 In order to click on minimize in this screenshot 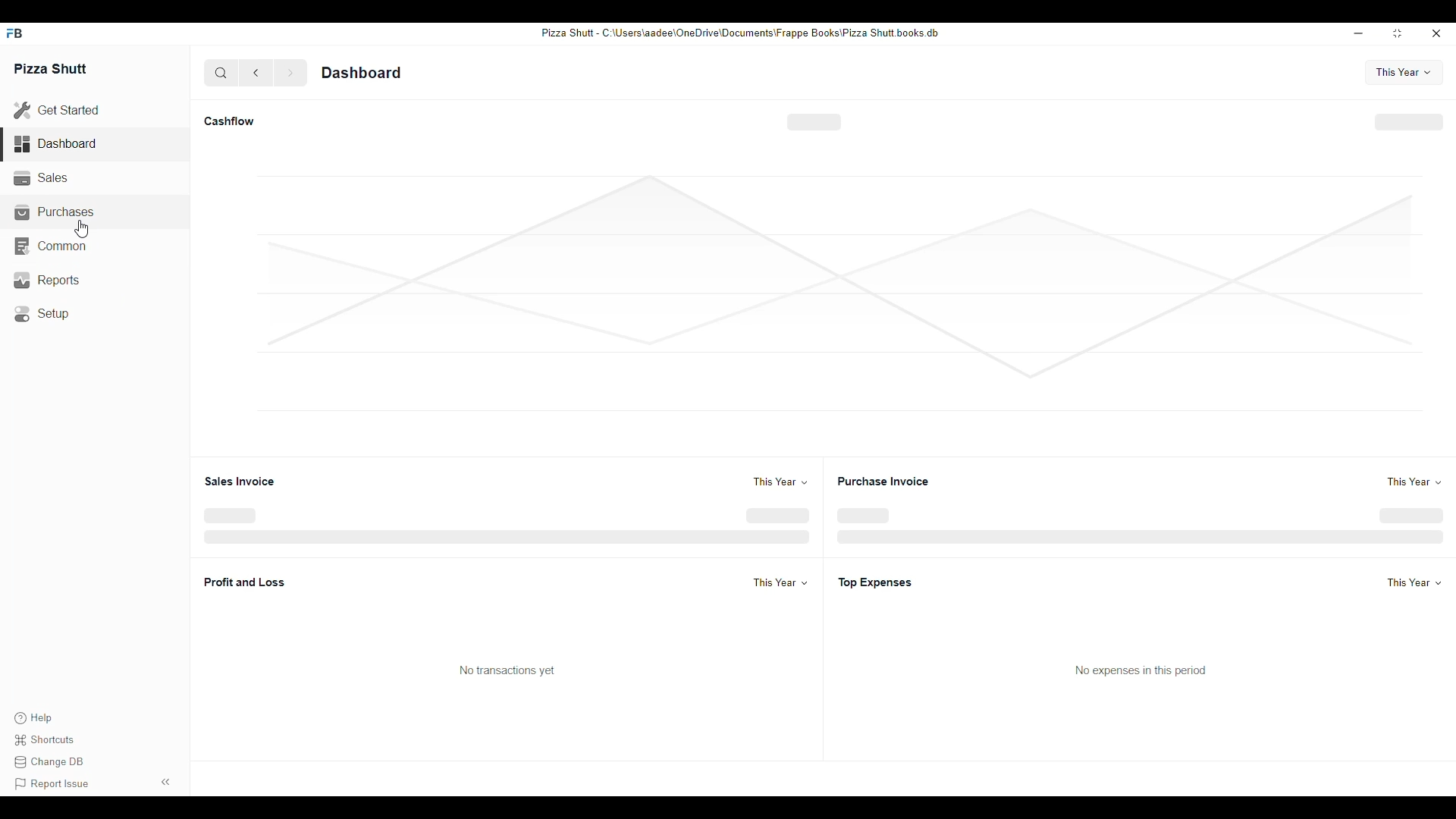, I will do `click(1358, 33)`.